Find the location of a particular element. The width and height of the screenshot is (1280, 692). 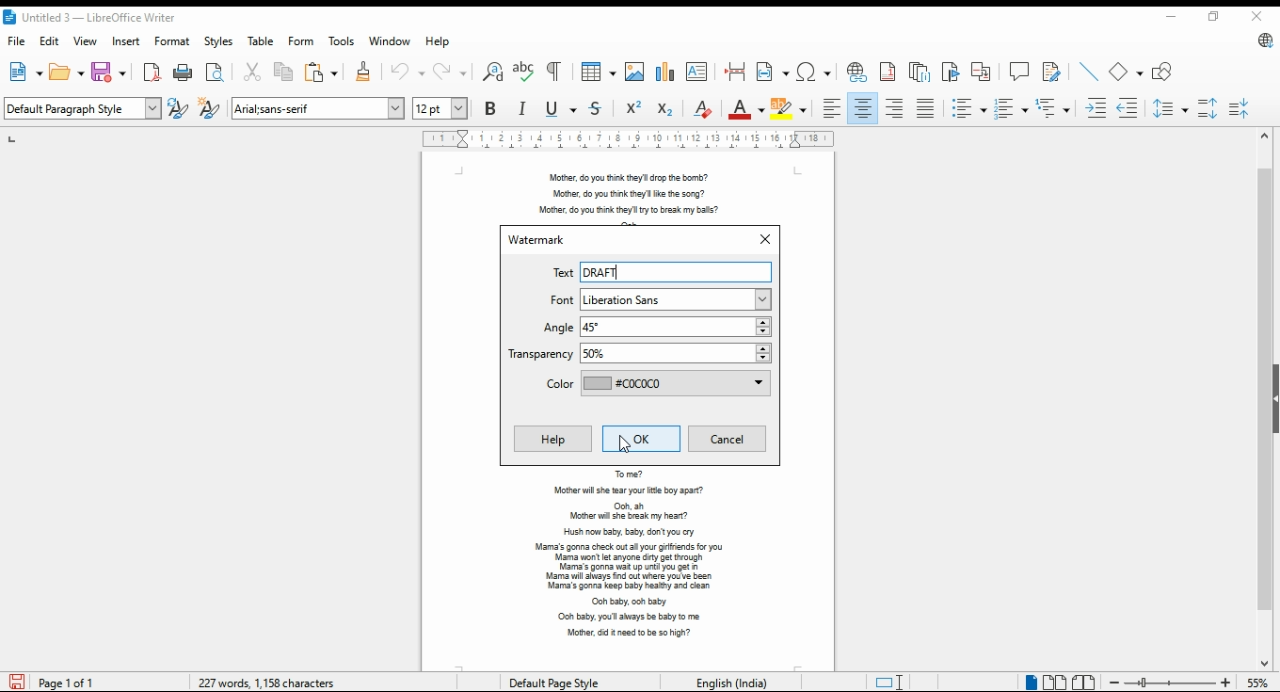

new style from selection is located at coordinates (210, 108).